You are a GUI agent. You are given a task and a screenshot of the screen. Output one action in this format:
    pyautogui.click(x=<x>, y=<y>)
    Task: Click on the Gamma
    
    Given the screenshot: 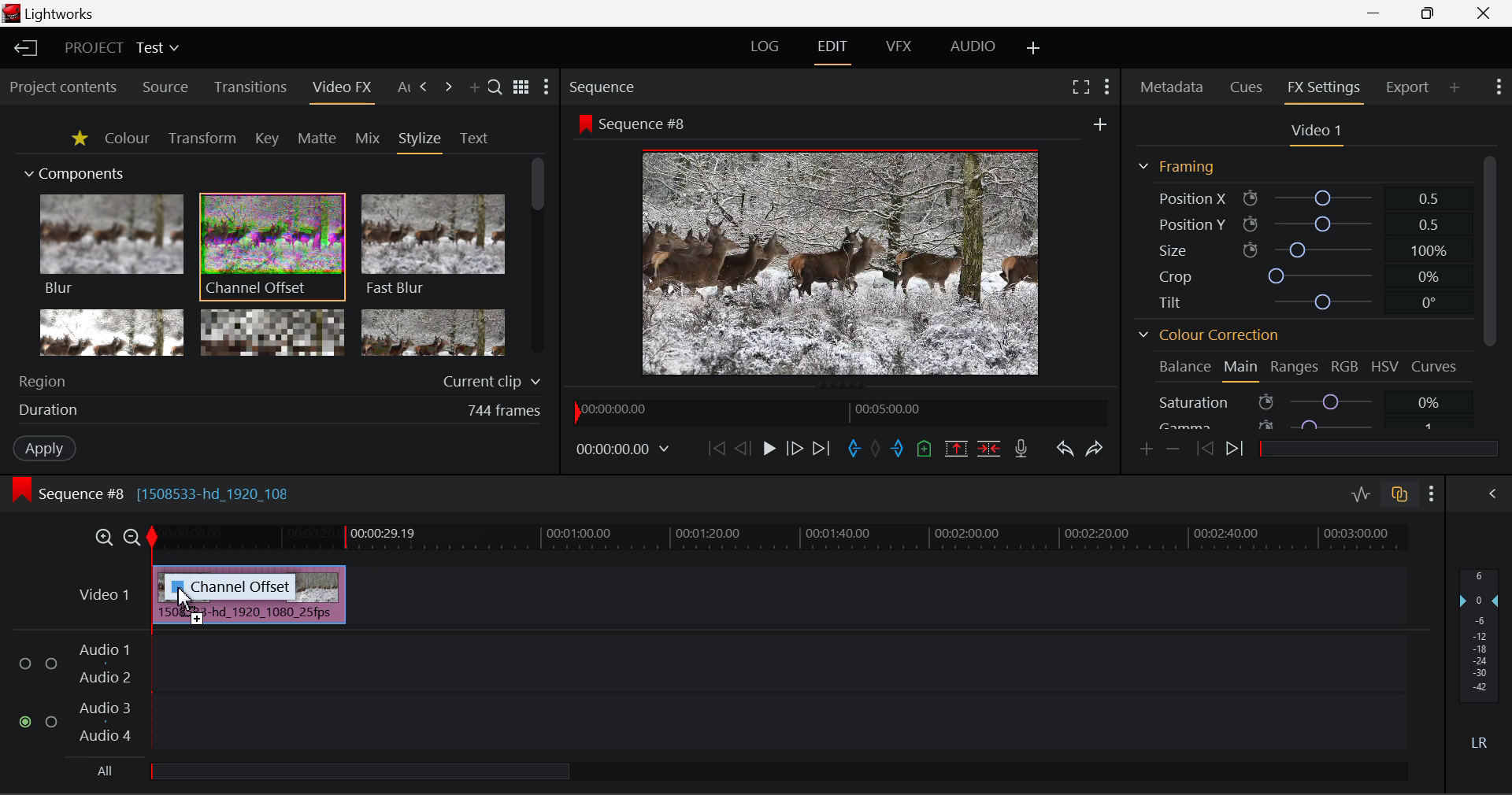 What is the action you would take?
    pyautogui.click(x=1299, y=425)
    